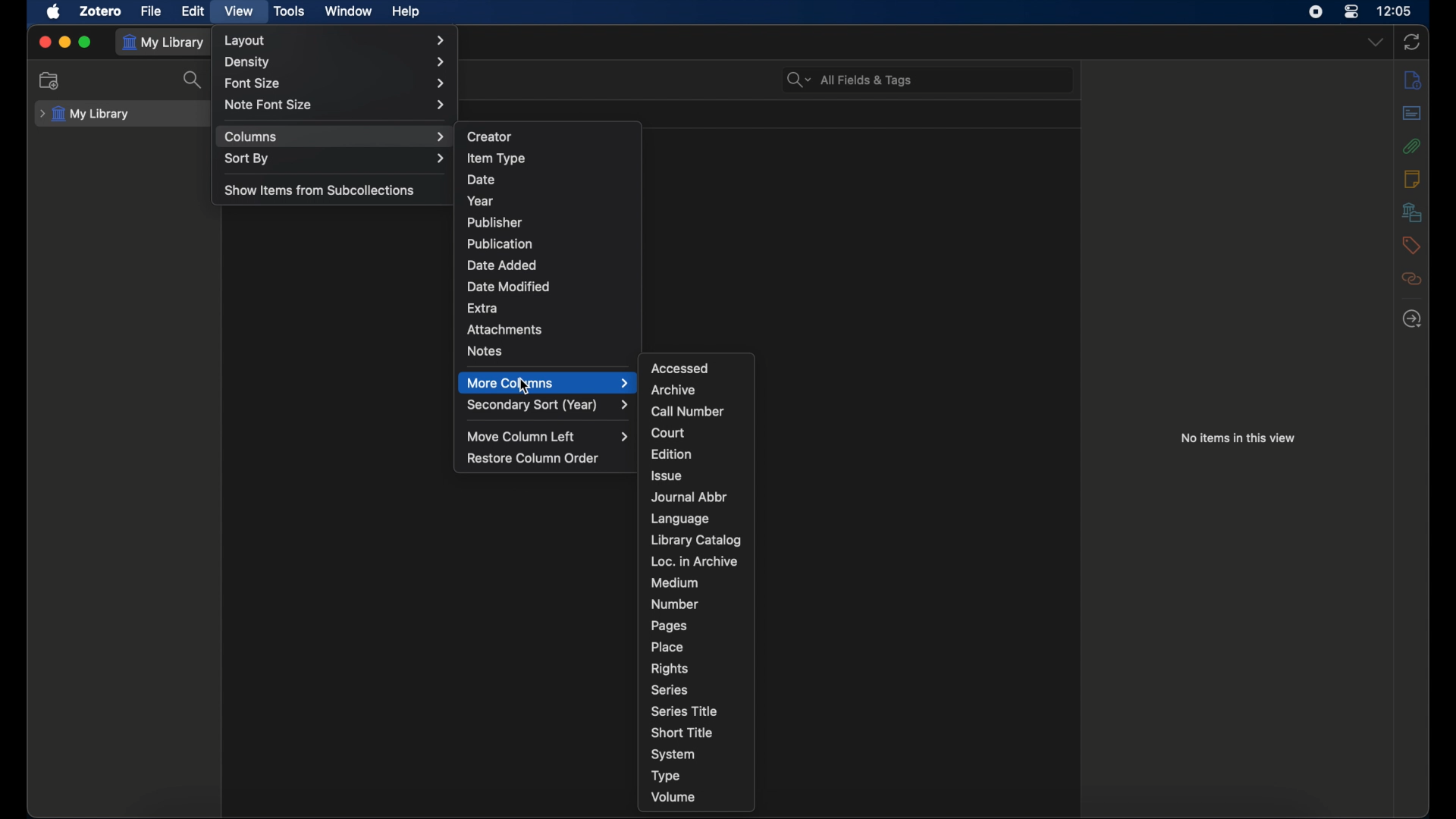 Image resolution: width=1456 pixels, height=819 pixels. Describe the element at coordinates (667, 433) in the screenshot. I see `court` at that location.